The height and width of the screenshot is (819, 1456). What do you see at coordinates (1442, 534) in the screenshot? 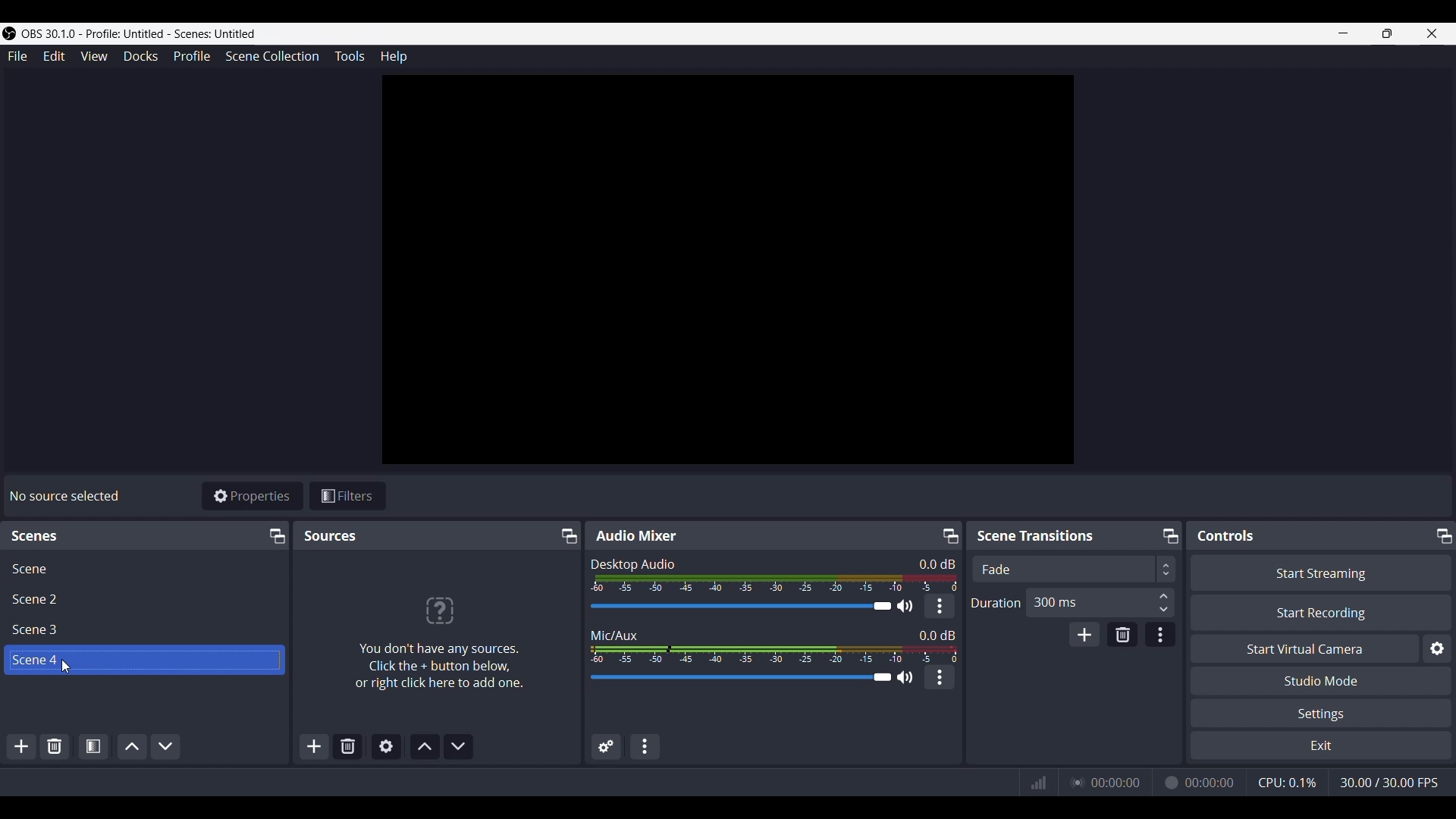
I see ` Undock/Pop-out icon` at bounding box center [1442, 534].